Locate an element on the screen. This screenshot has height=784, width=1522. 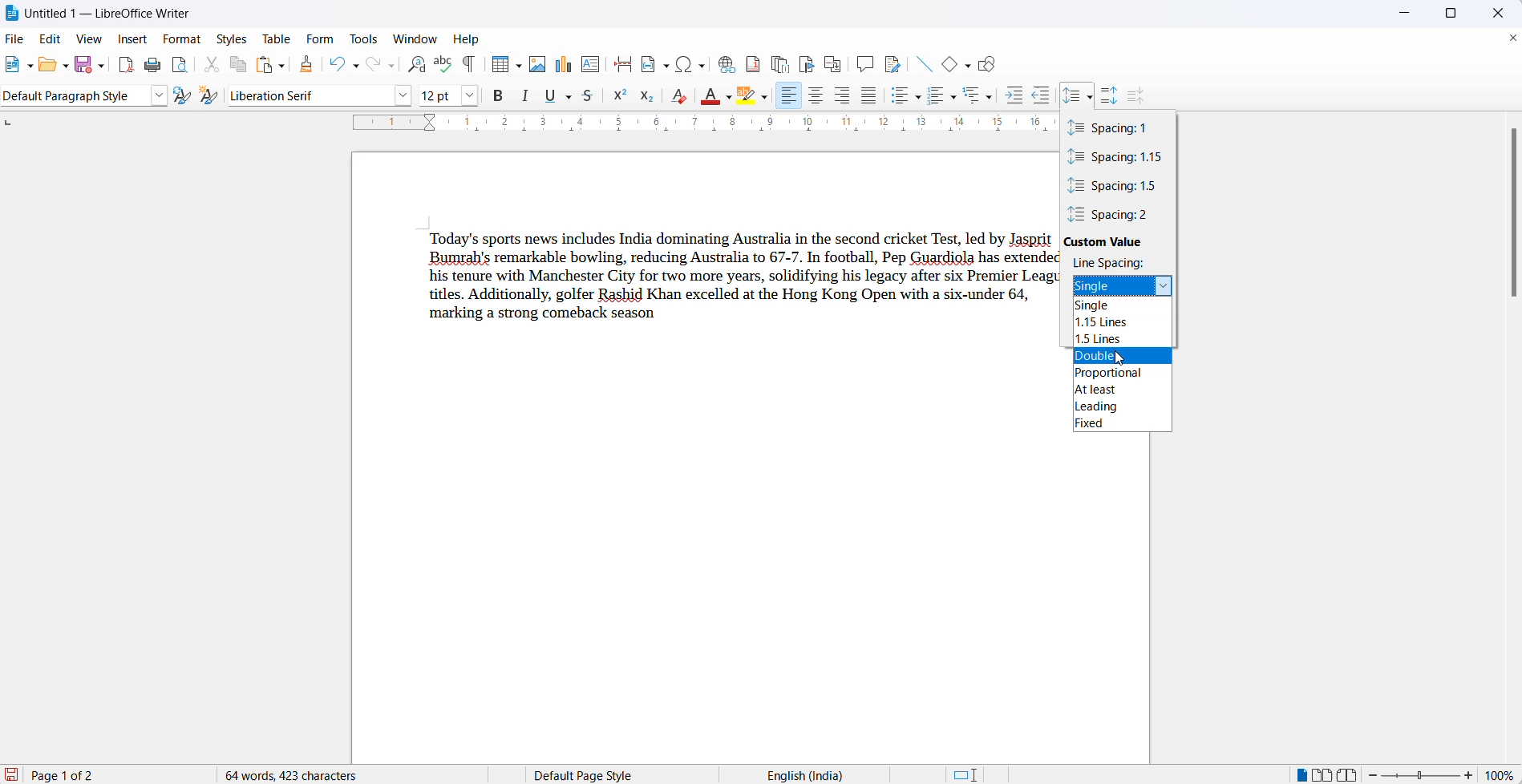
insert table is located at coordinates (497, 64).